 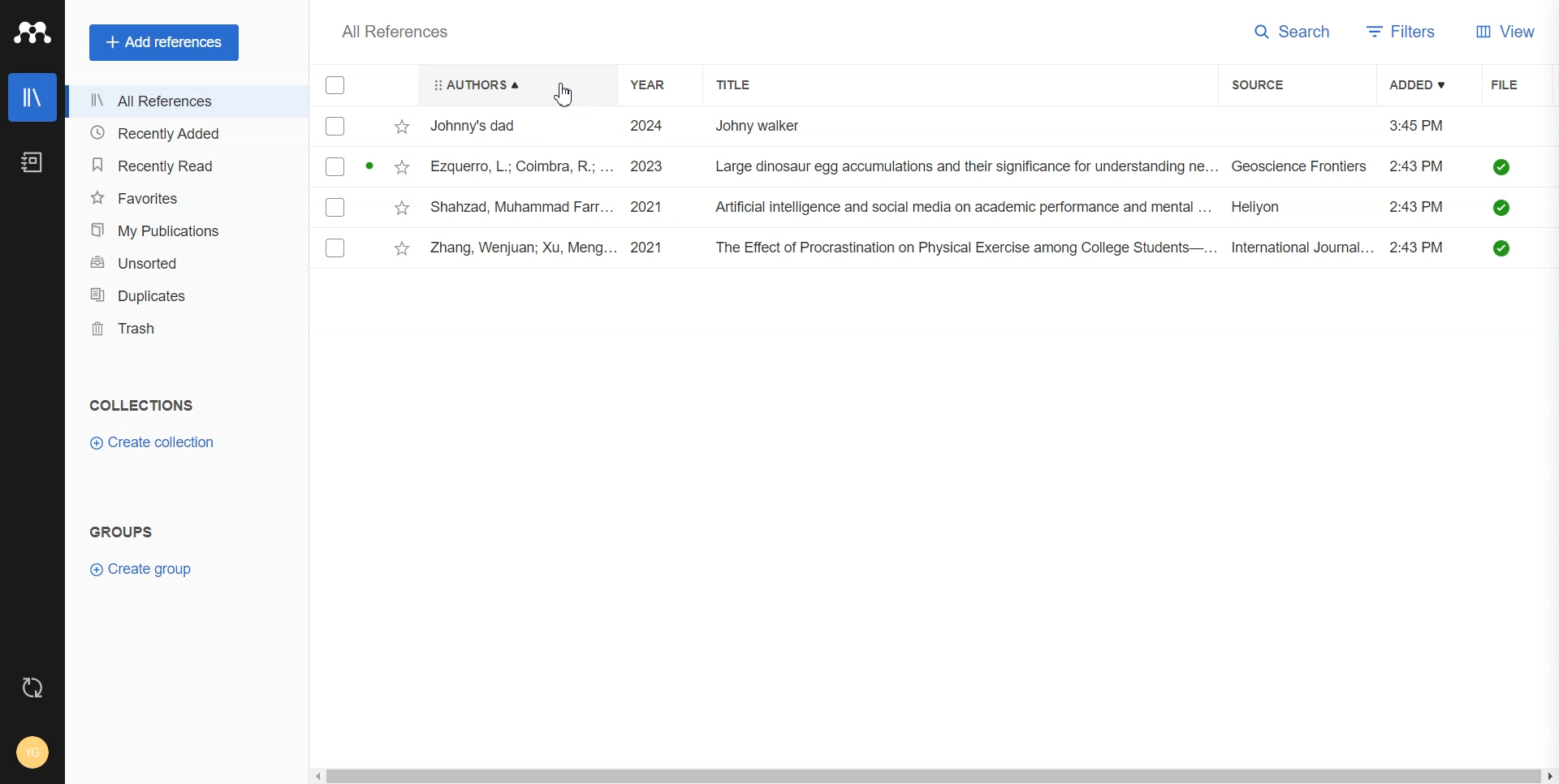 What do you see at coordinates (32, 97) in the screenshot?
I see `Library` at bounding box center [32, 97].